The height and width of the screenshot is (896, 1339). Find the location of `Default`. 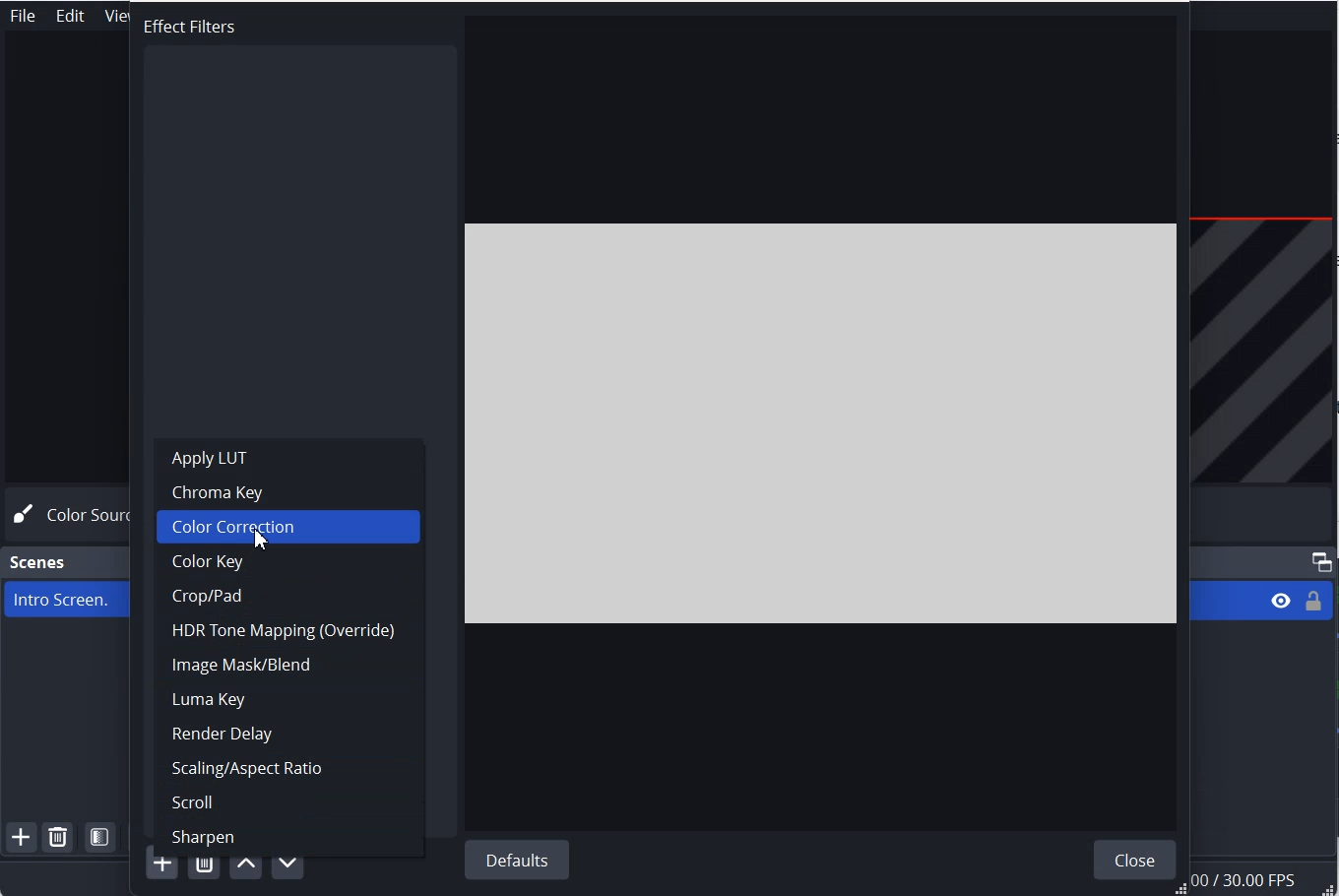

Default is located at coordinates (518, 860).